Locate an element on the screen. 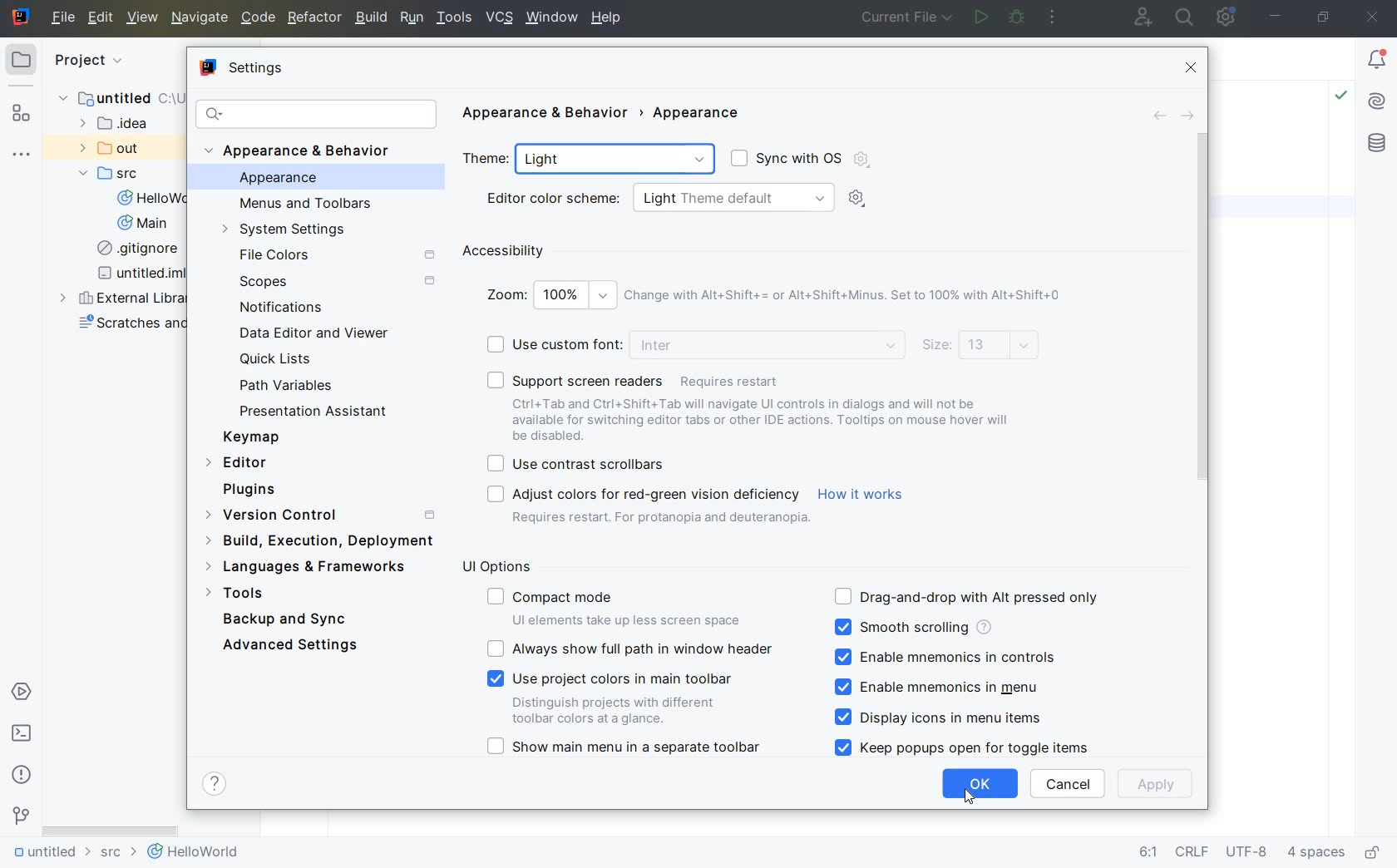 The image size is (1397, 868). SEARCH SETTINGS is located at coordinates (314, 114).